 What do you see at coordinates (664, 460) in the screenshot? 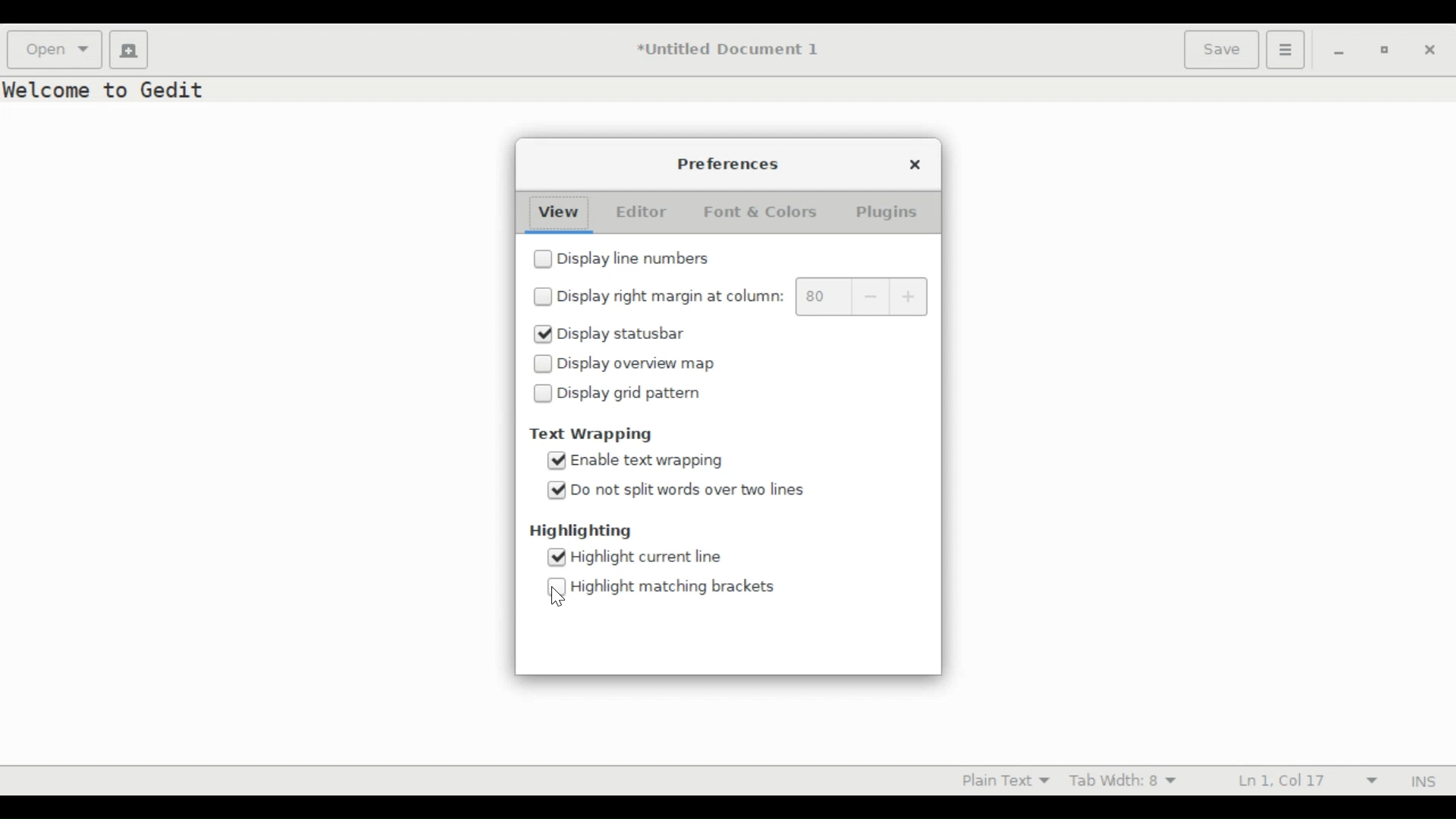
I see `Enable text wrapping` at bounding box center [664, 460].